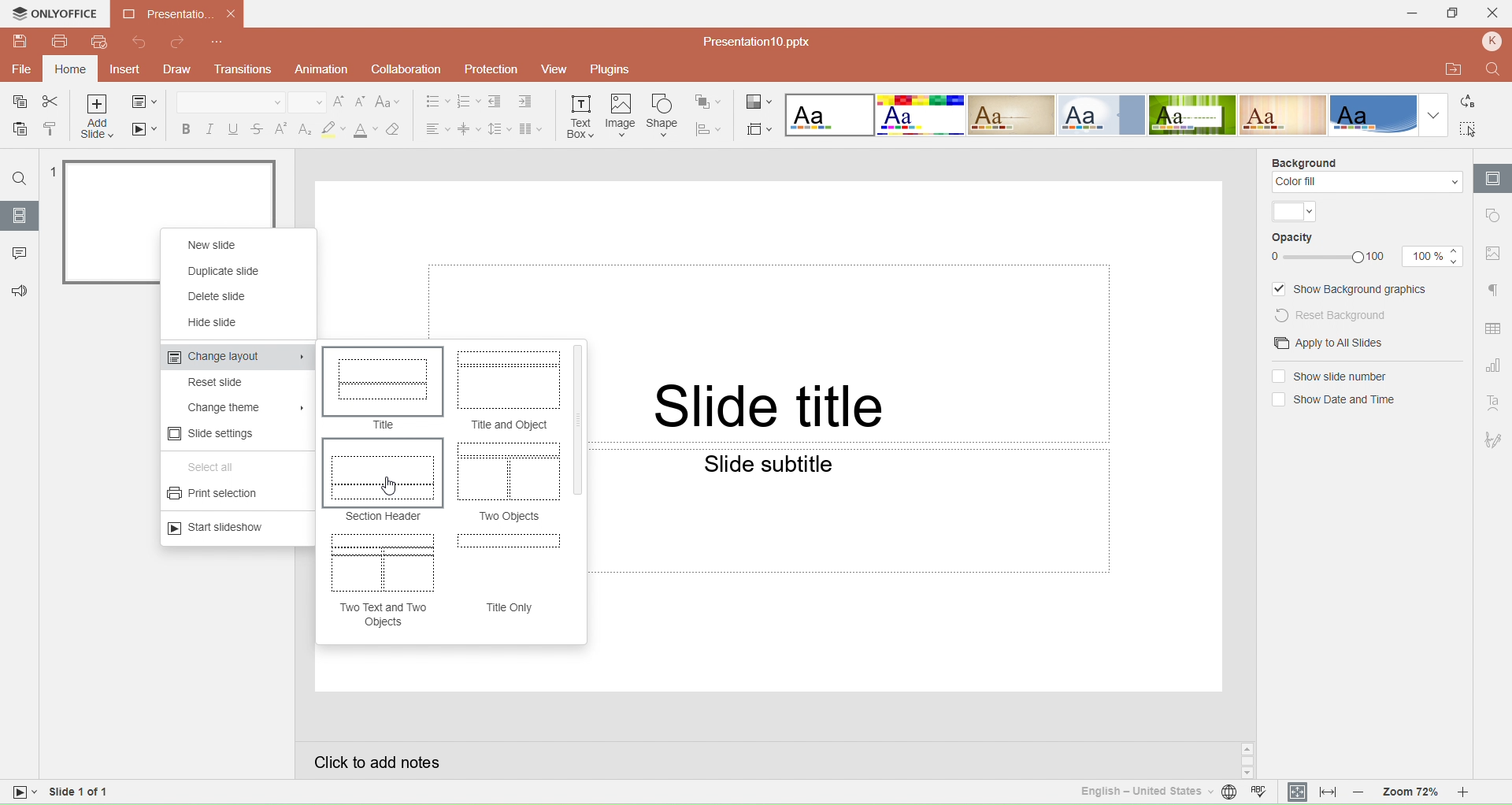 The height and width of the screenshot is (805, 1512). I want to click on Maximize, so click(1455, 14).